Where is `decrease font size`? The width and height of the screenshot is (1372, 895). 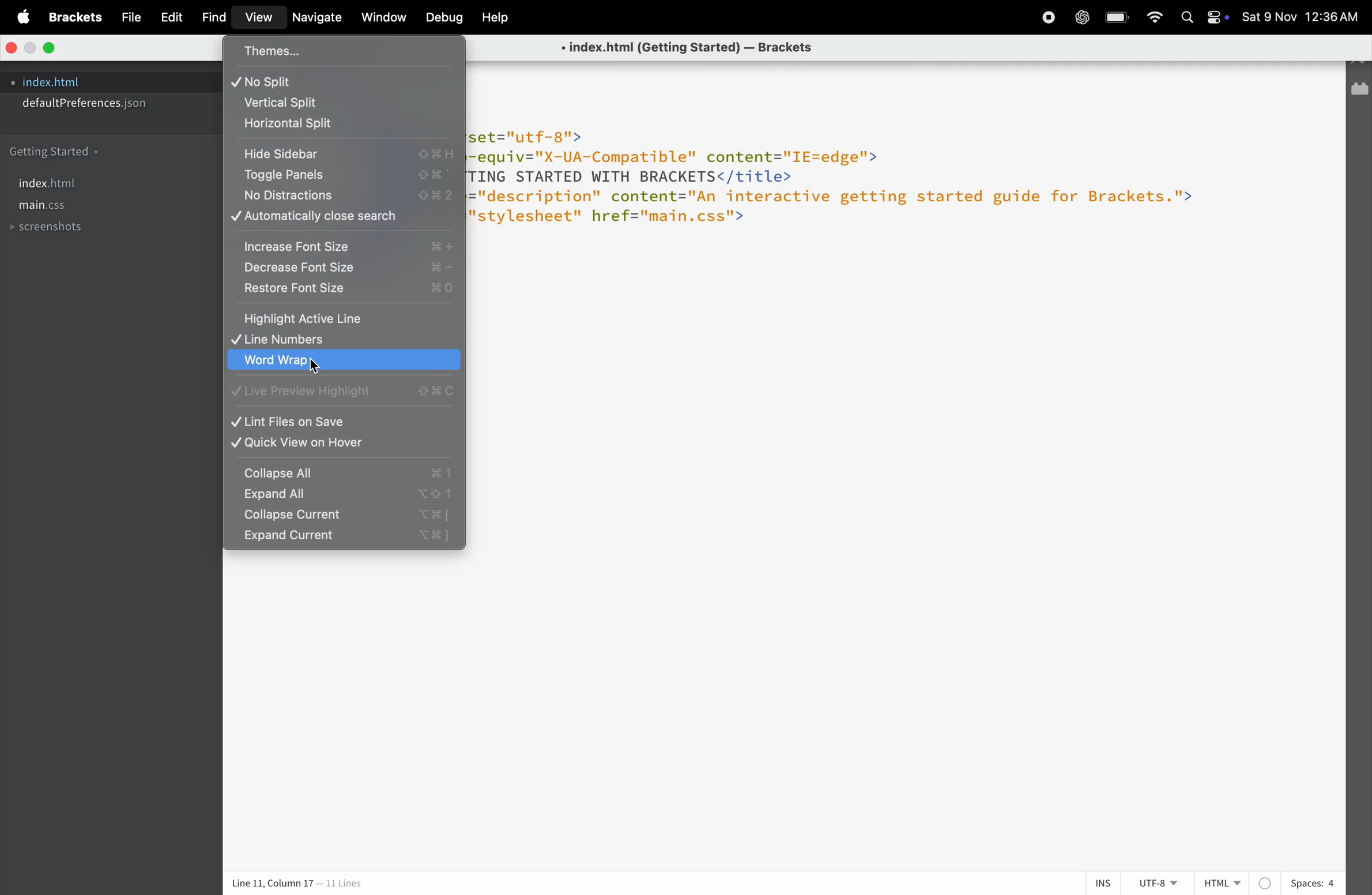 decrease font size is located at coordinates (344, 270).